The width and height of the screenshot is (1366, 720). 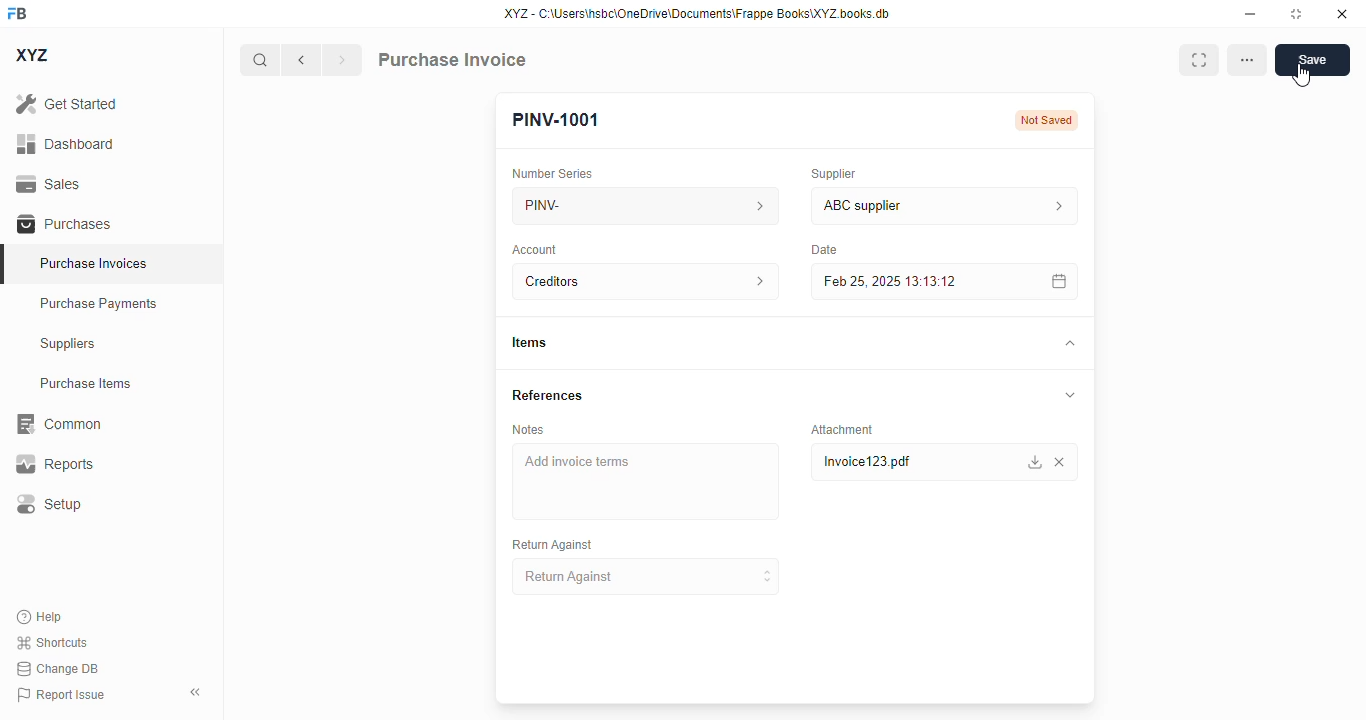 What do you see at coordinates (57, 669) in the screenshot?
I see `change DB` at bounding box center [57, 669].